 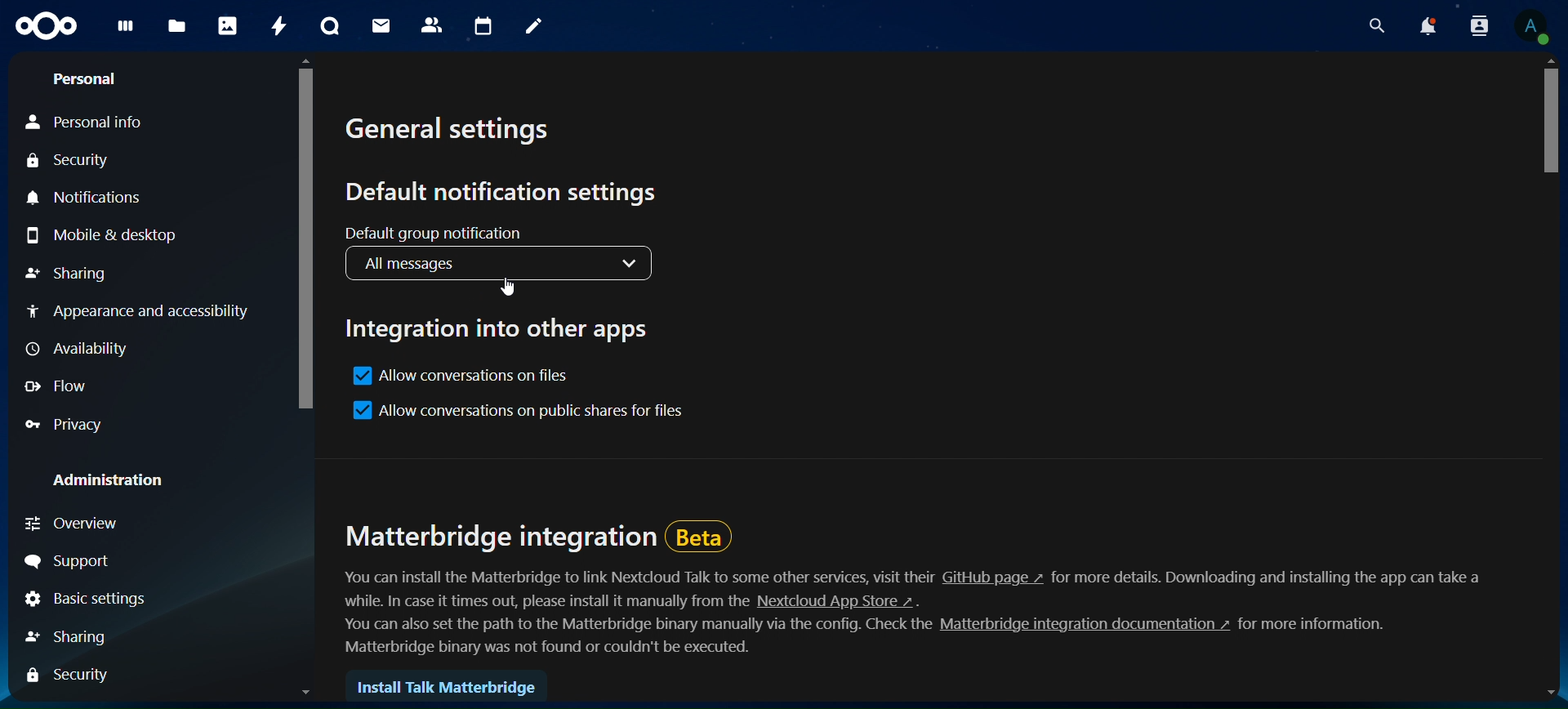 What do you see at coordinates (535, 29) in the screenshot?
I see `notes` at bounding box center [535, 29].